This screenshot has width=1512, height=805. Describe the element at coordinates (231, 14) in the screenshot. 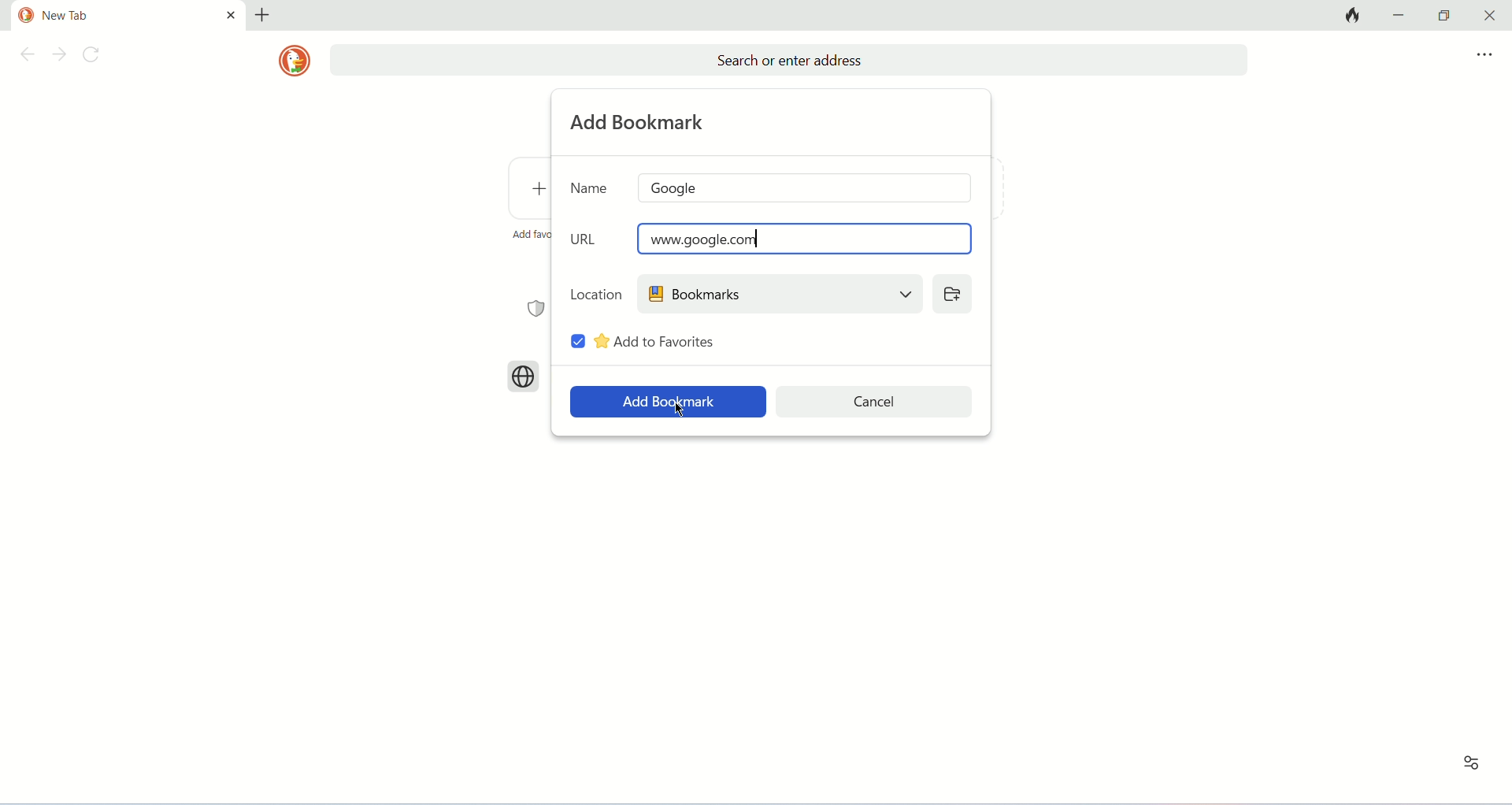

I see `close tab` at that location.